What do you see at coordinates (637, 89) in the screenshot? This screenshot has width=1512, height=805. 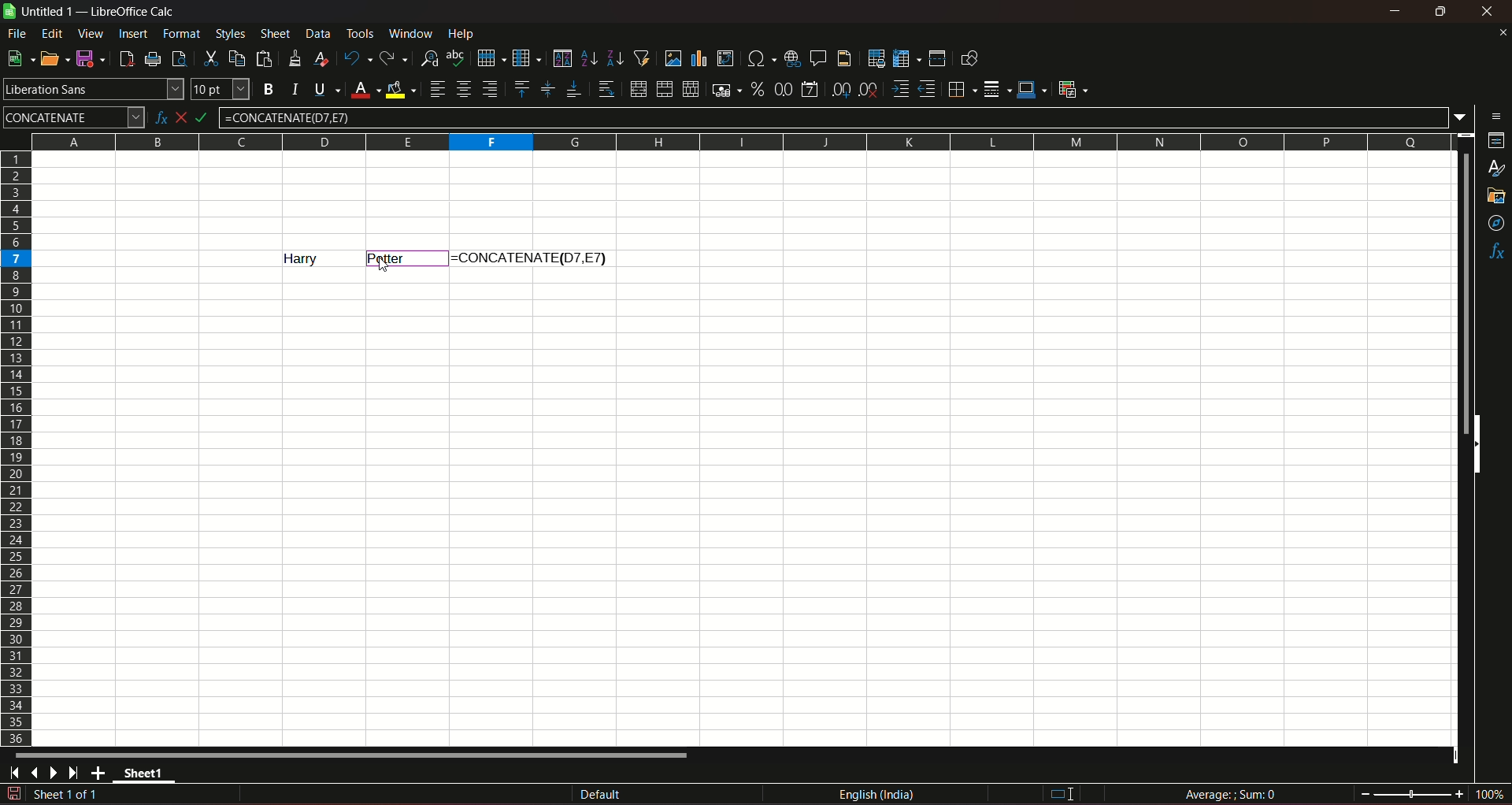 I see `merge and center` at bounding box center [637, 89].